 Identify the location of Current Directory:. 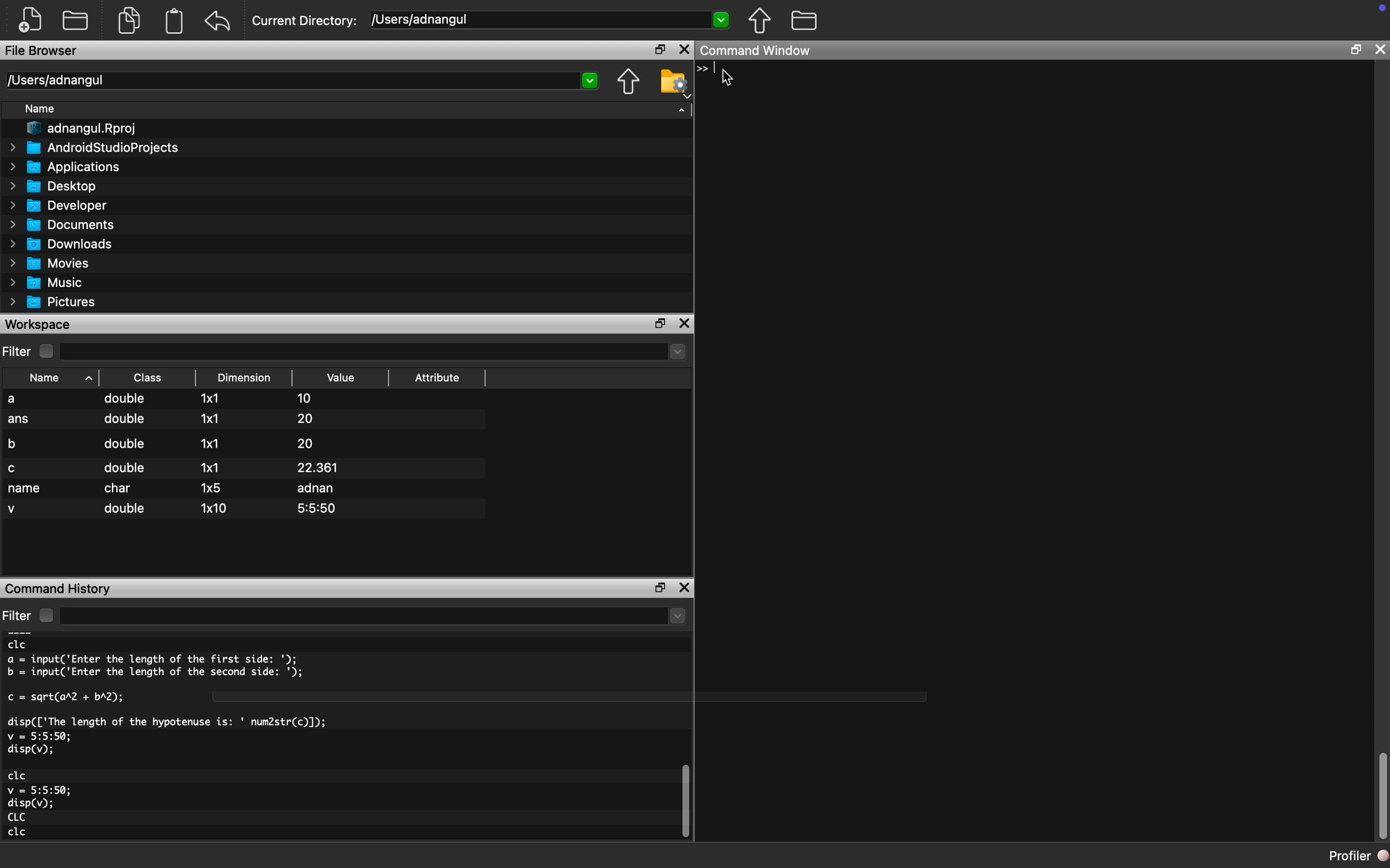
(306, 19).